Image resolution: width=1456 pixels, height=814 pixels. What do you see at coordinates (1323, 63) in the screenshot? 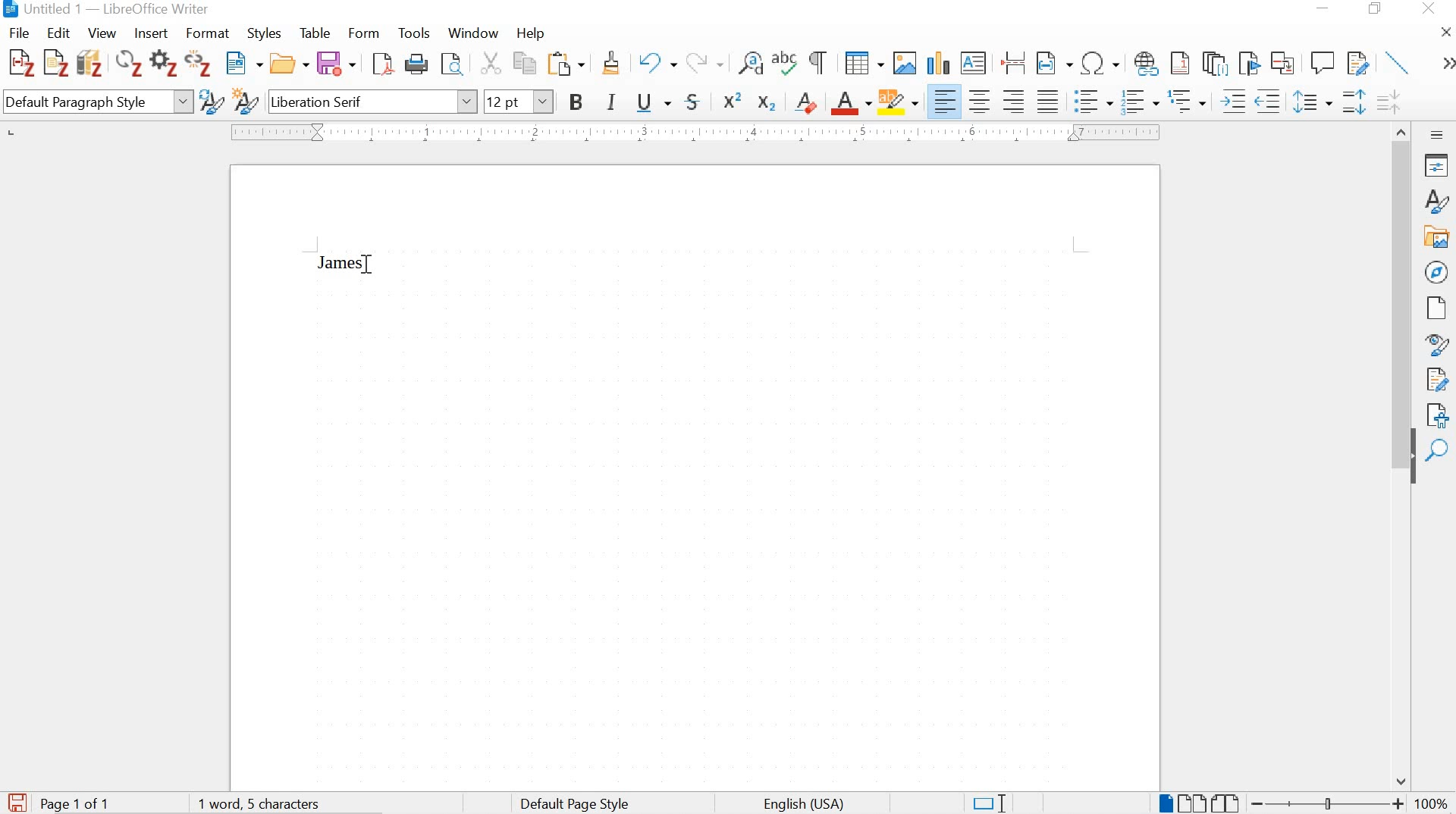
I see `insert comment` at bounding box center [1323, 63].